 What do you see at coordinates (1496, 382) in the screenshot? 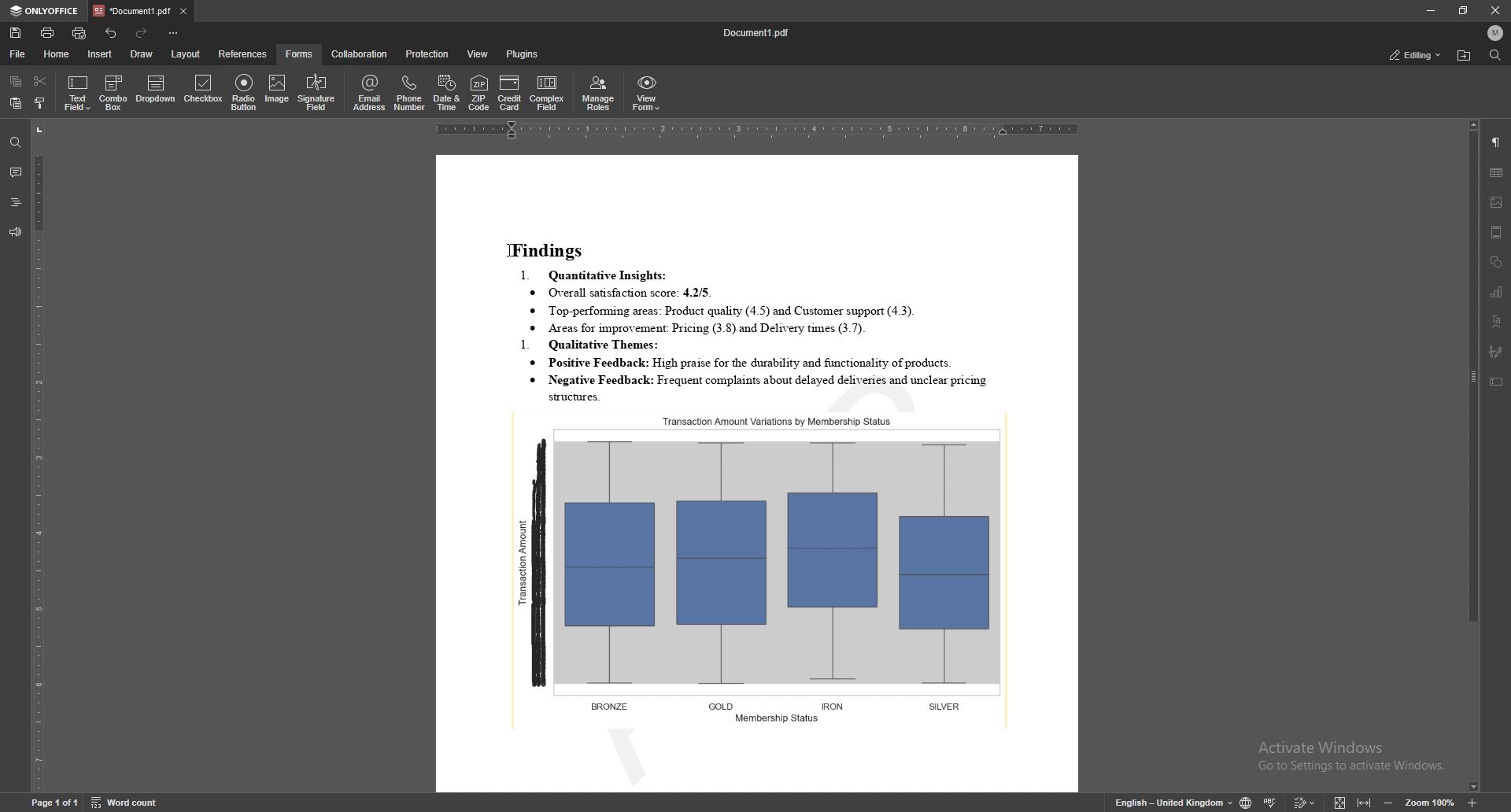
I see `text box` at bounding box center [1496, 382].